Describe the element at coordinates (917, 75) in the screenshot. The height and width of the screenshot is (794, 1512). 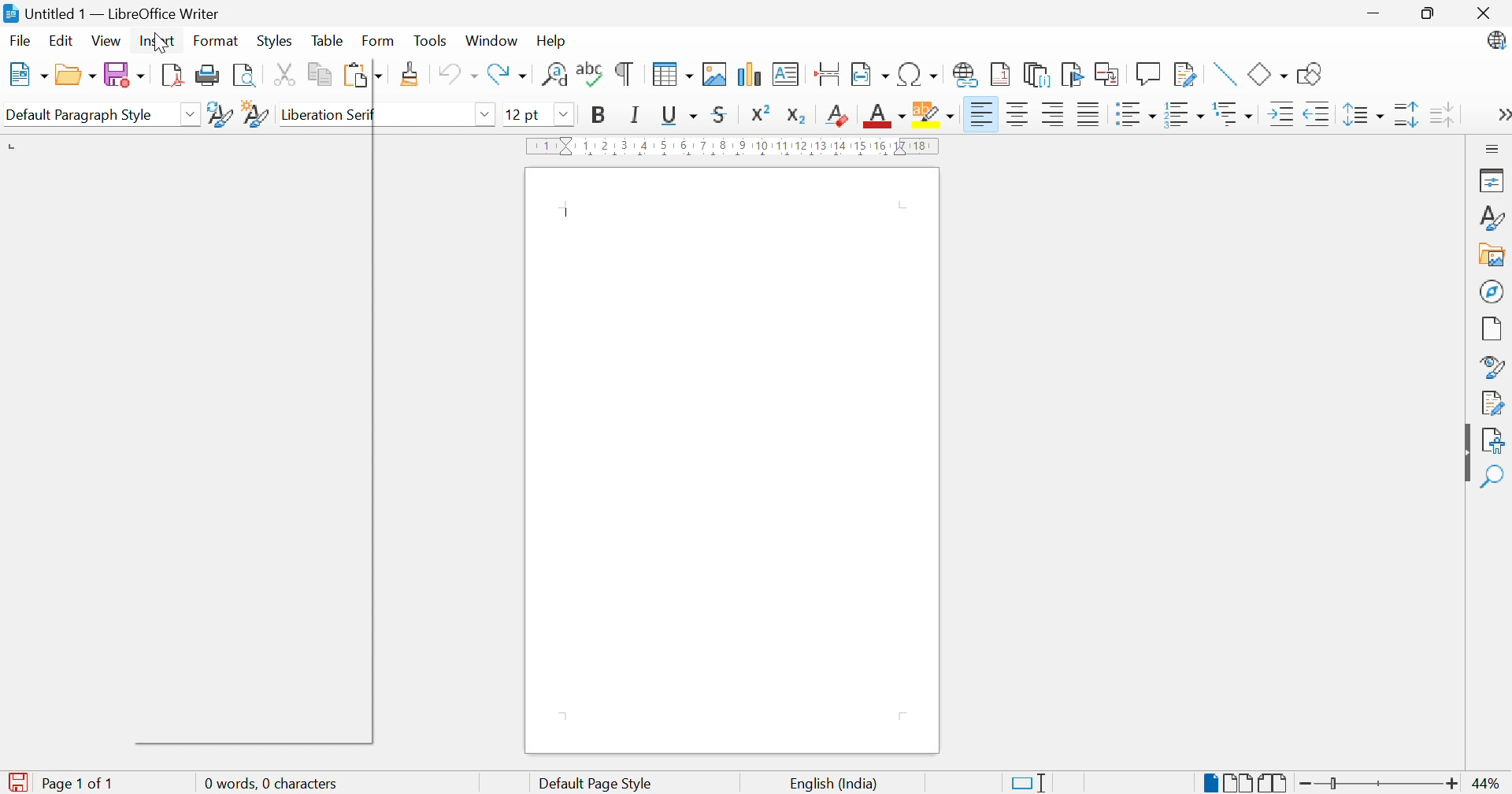
I see `Insert special characters` at that location.